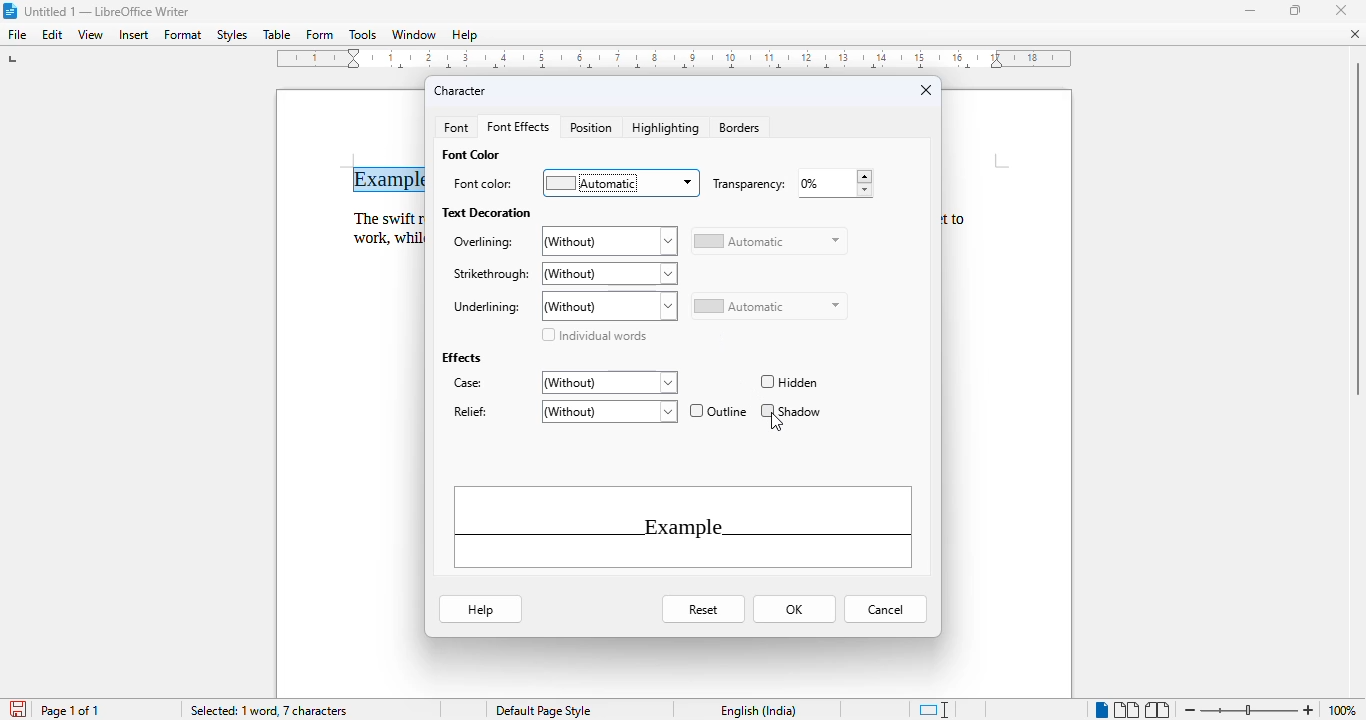 The width and height of the screenshot is (1366, 720). I want to click on hidden, so click(788, 383).